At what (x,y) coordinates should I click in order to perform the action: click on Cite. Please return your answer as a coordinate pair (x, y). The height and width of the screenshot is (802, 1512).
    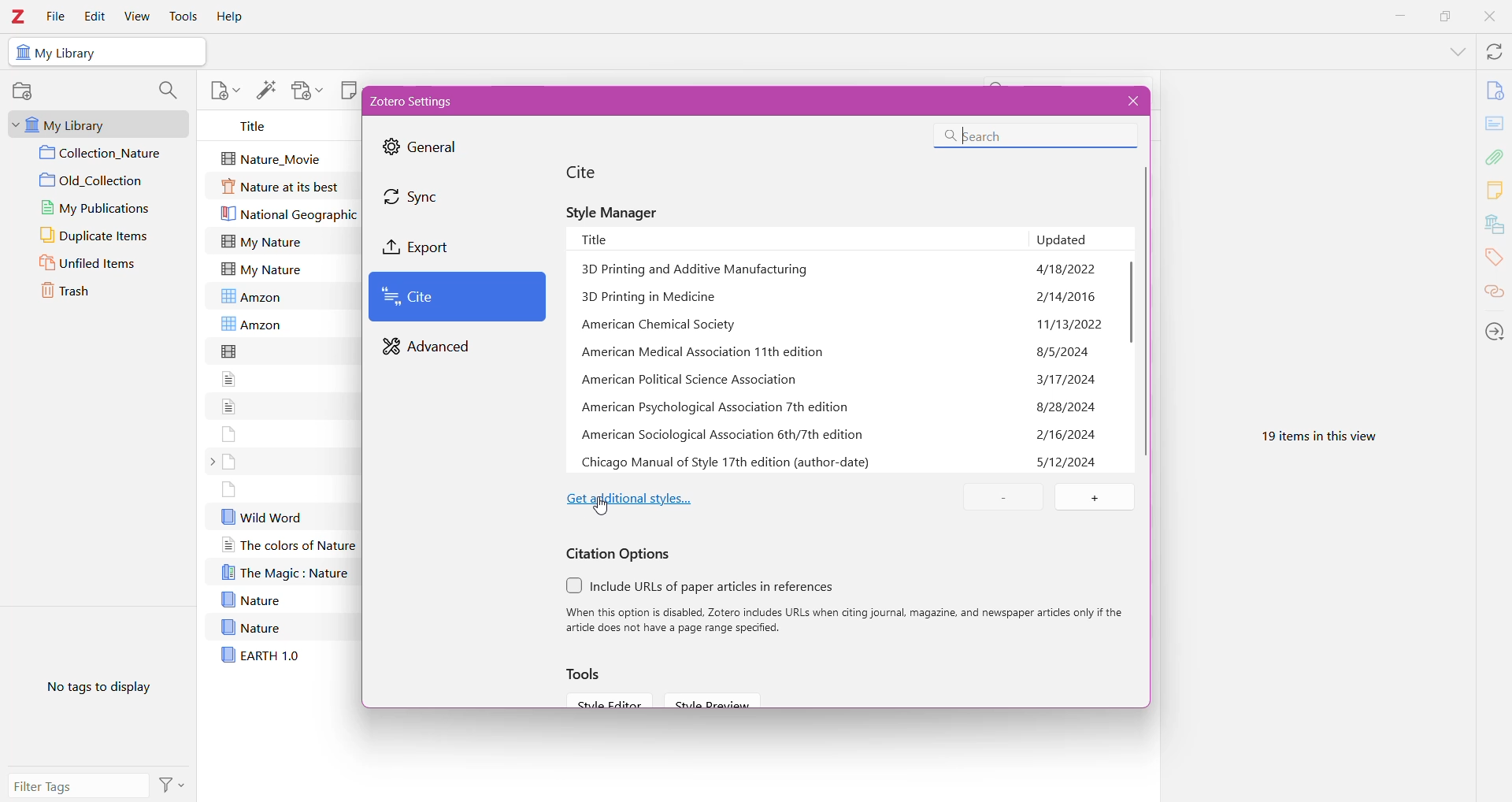
    Looking at the image, I should click on (593, 173).